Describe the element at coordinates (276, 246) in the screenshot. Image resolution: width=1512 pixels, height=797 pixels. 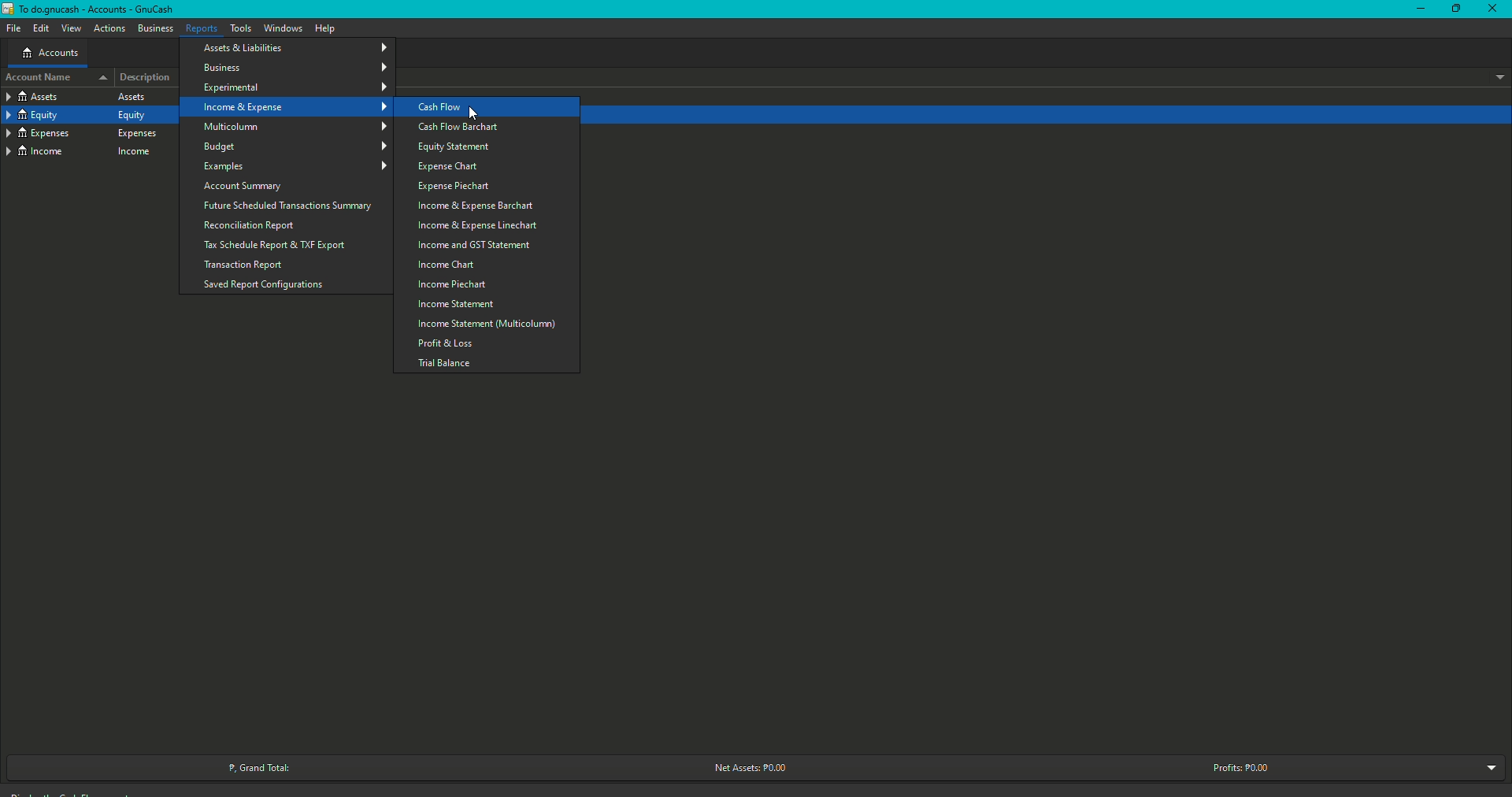
I see `Tax Schedule Report` at that location.